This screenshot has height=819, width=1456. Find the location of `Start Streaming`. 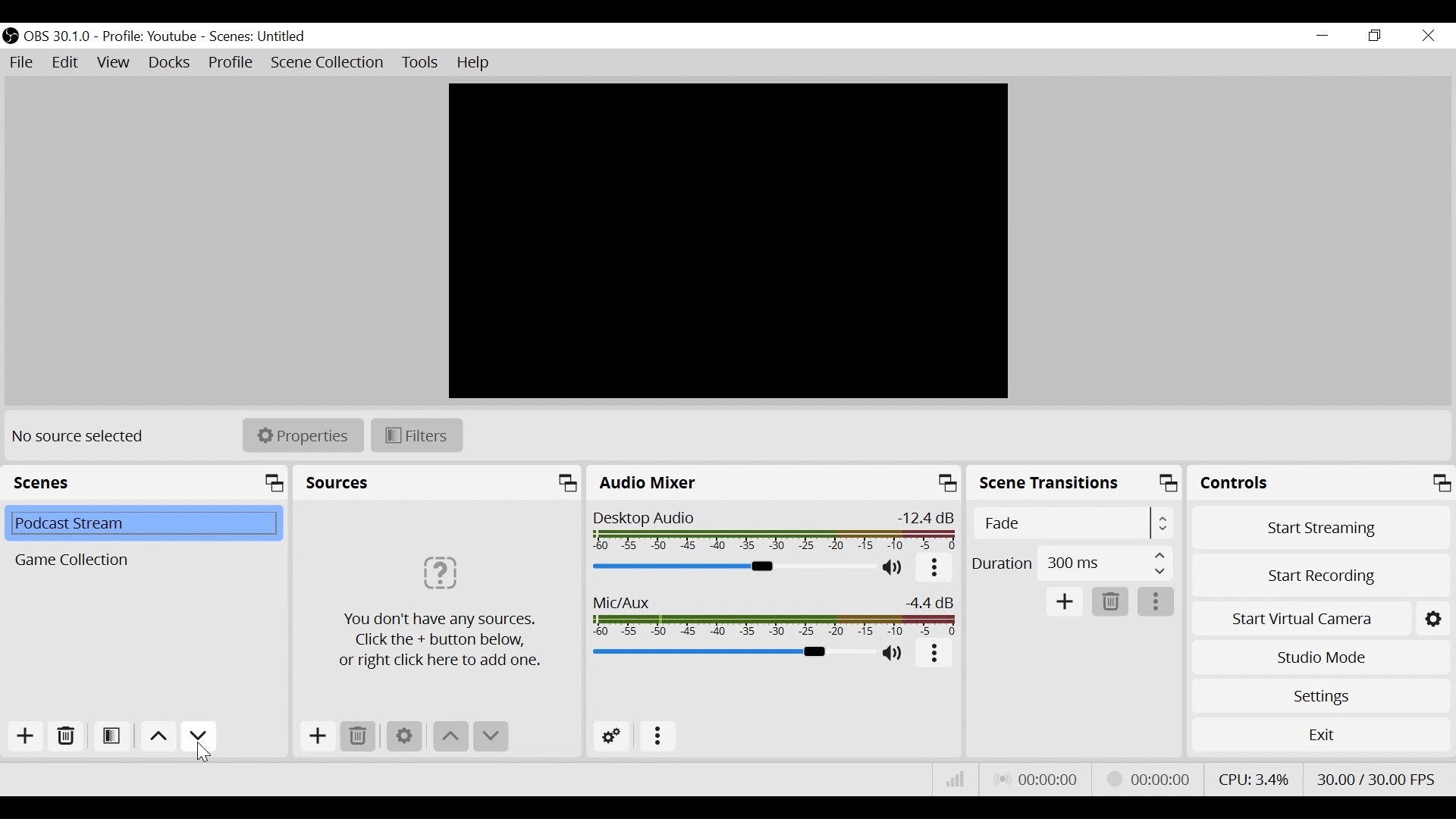

Start Streaming is located at coordinates (1321, 524).